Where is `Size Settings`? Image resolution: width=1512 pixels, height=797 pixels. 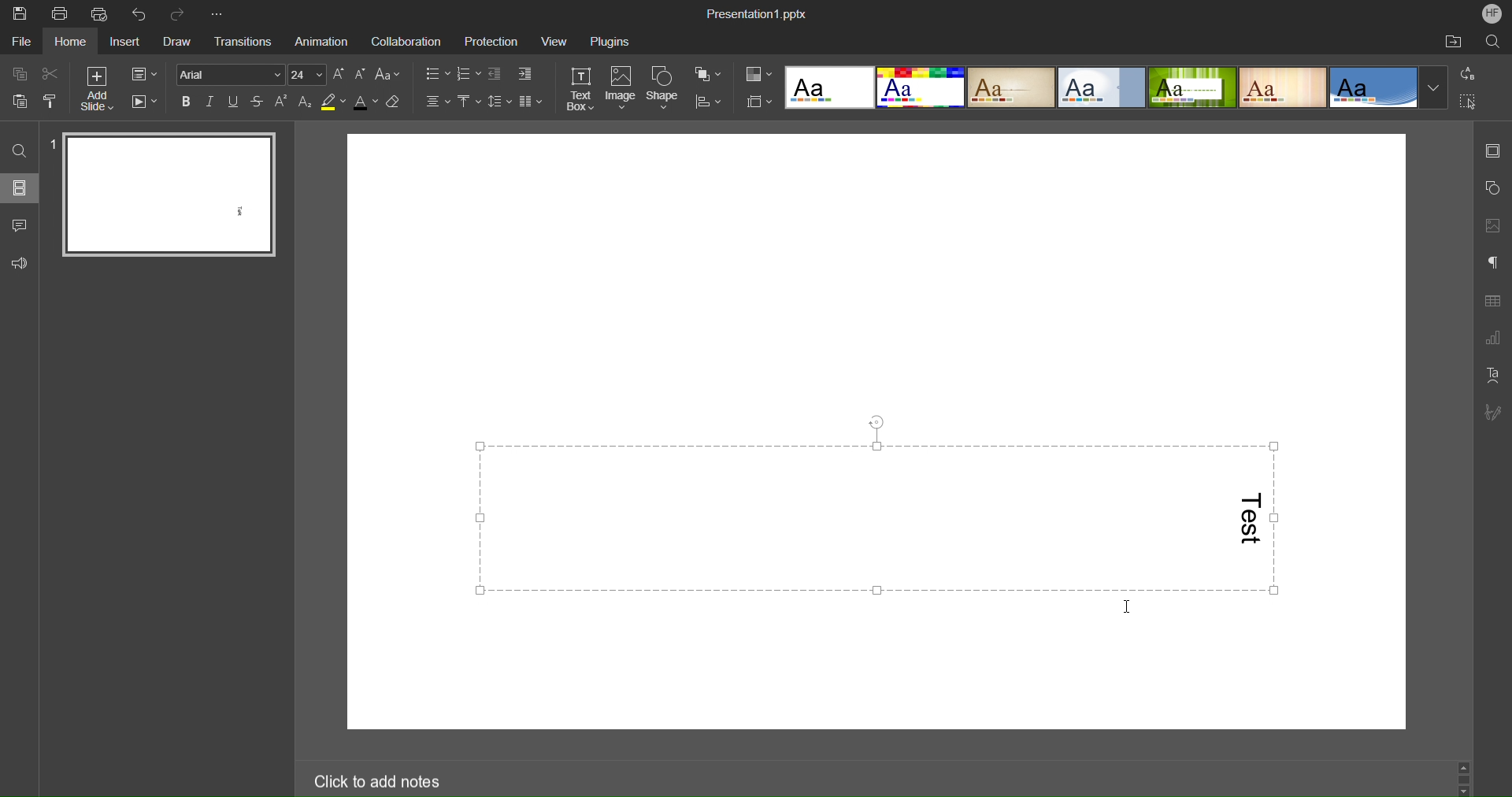
Size Settings is located at coordinates (758, 101).